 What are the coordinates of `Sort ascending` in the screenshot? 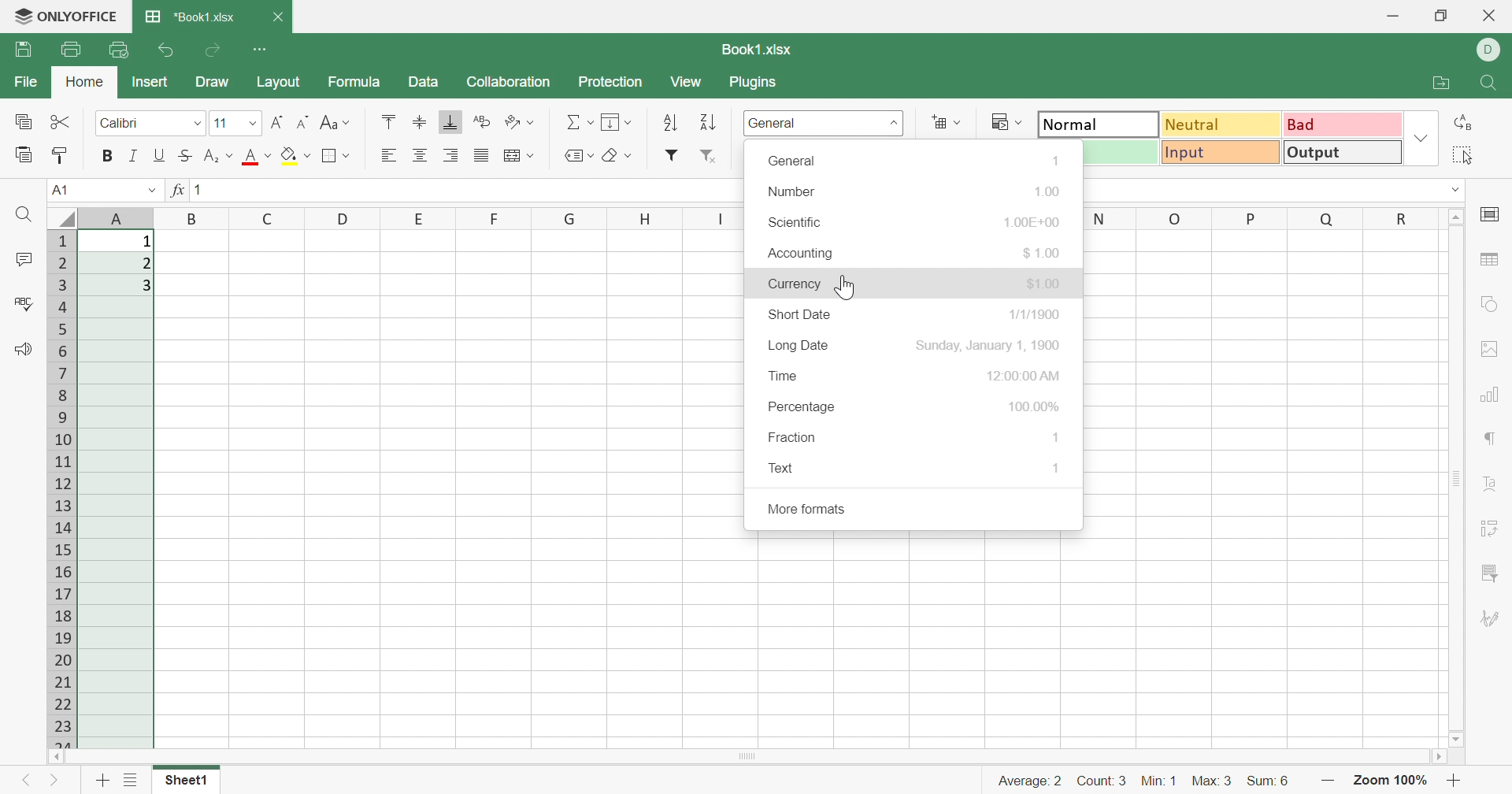 It's located at (673, 123).